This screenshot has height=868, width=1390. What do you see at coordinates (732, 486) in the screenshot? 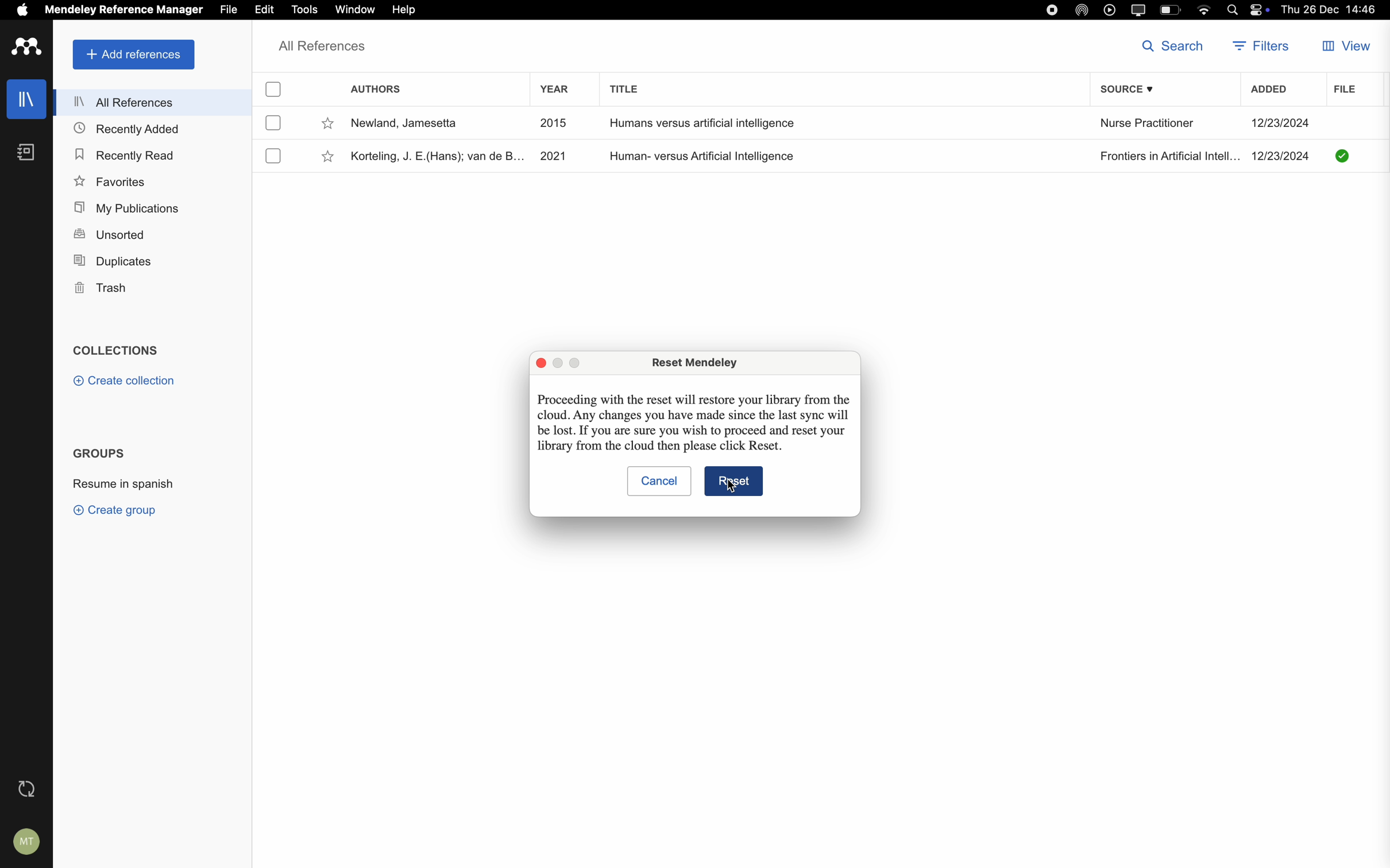
I see `Cursor` at bounding box center [732, 486].